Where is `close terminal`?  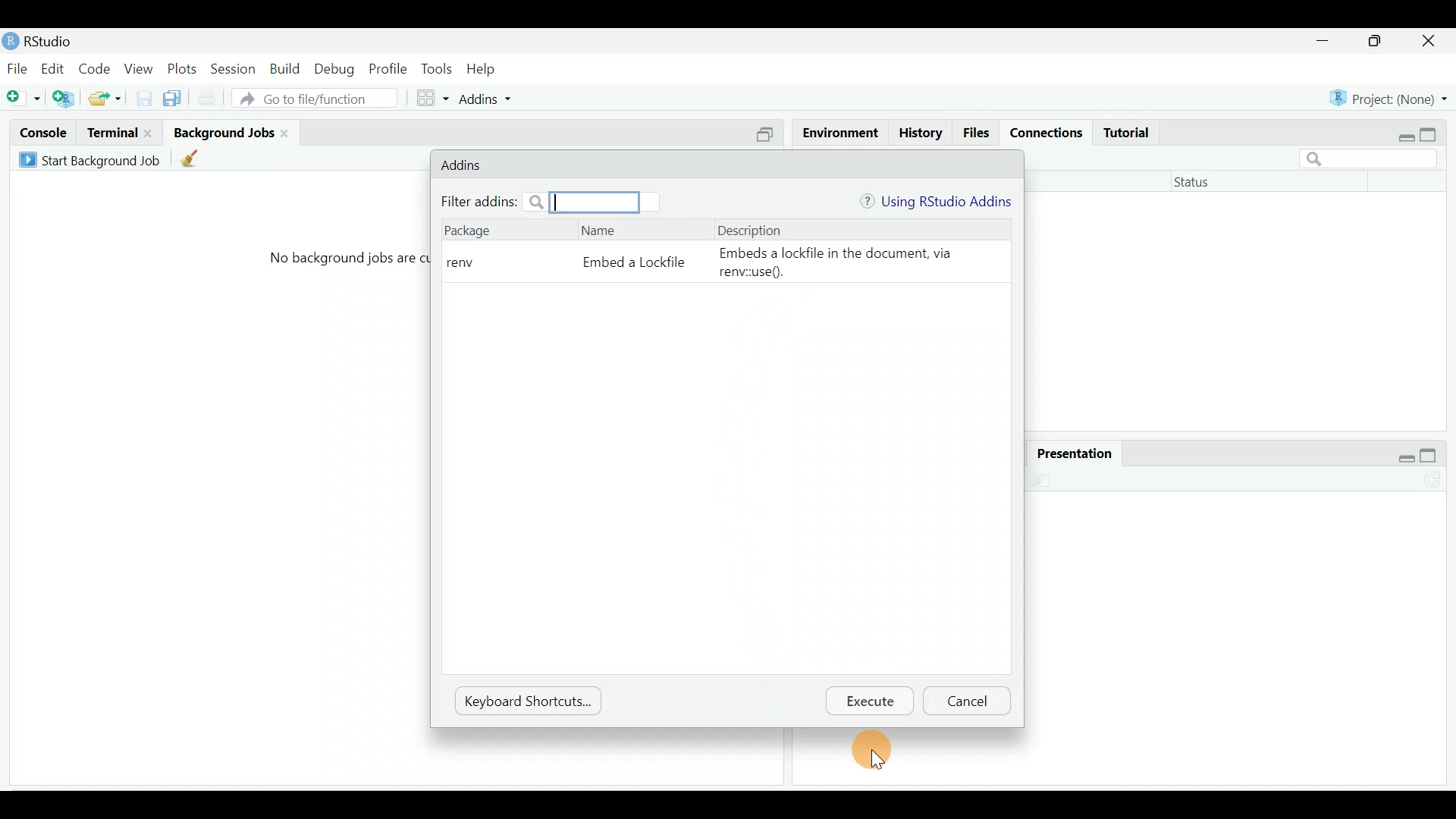
close terminal is located at coordinates (151, 134).